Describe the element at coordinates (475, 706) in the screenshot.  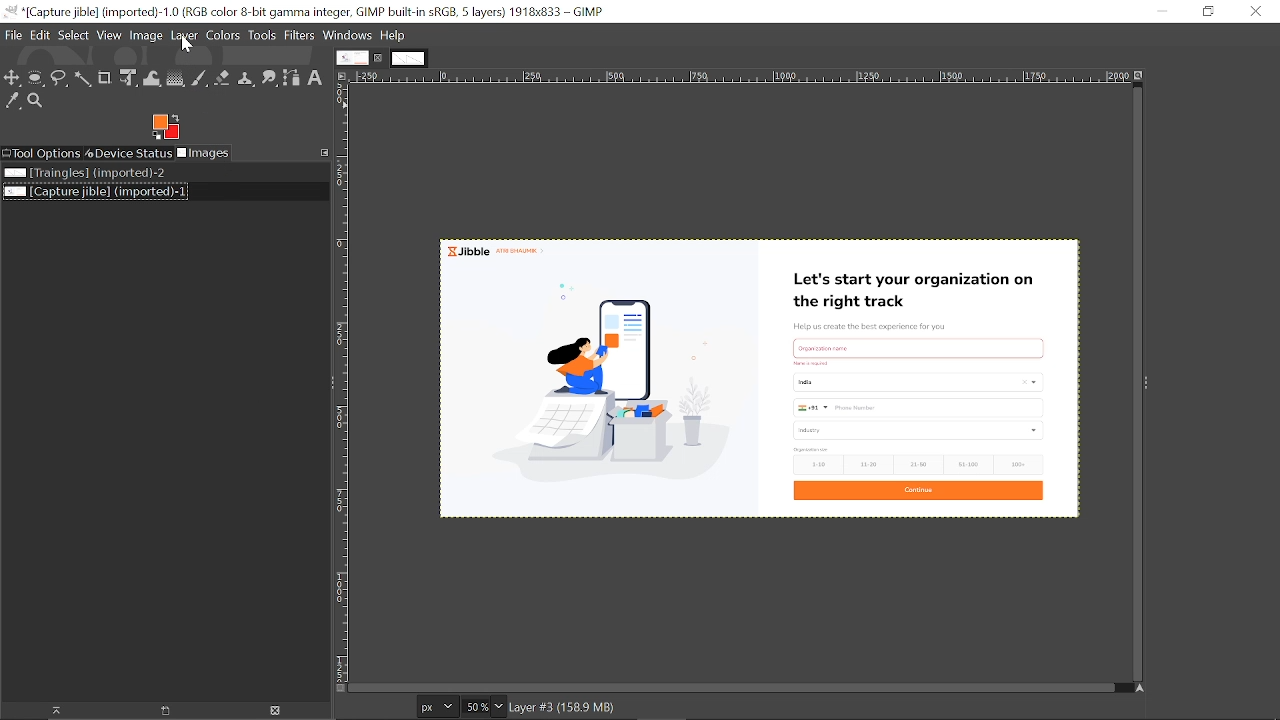
I see `Current zoom` at that location.